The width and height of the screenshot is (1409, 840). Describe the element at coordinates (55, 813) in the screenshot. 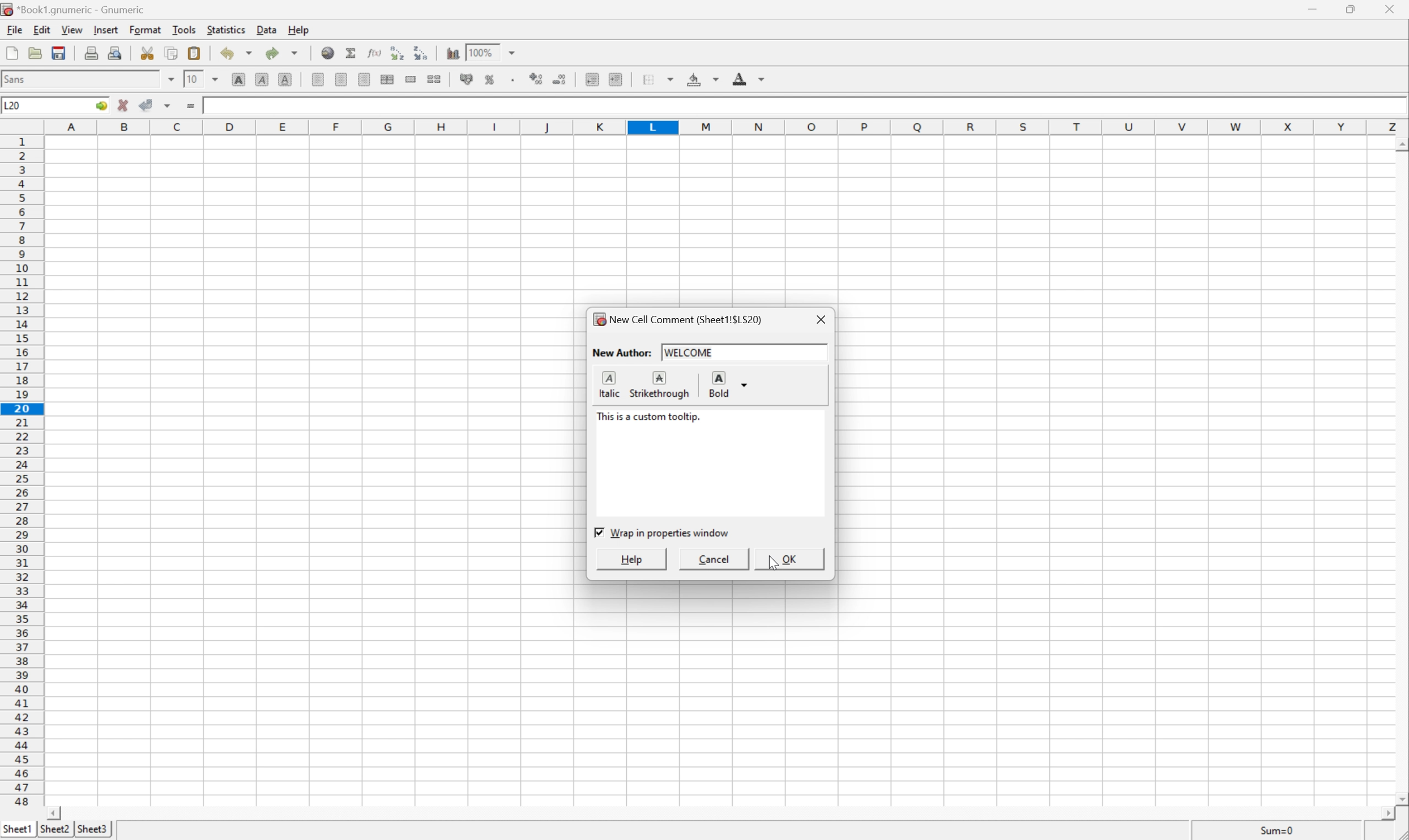

I see `Scroll Left` at that location.